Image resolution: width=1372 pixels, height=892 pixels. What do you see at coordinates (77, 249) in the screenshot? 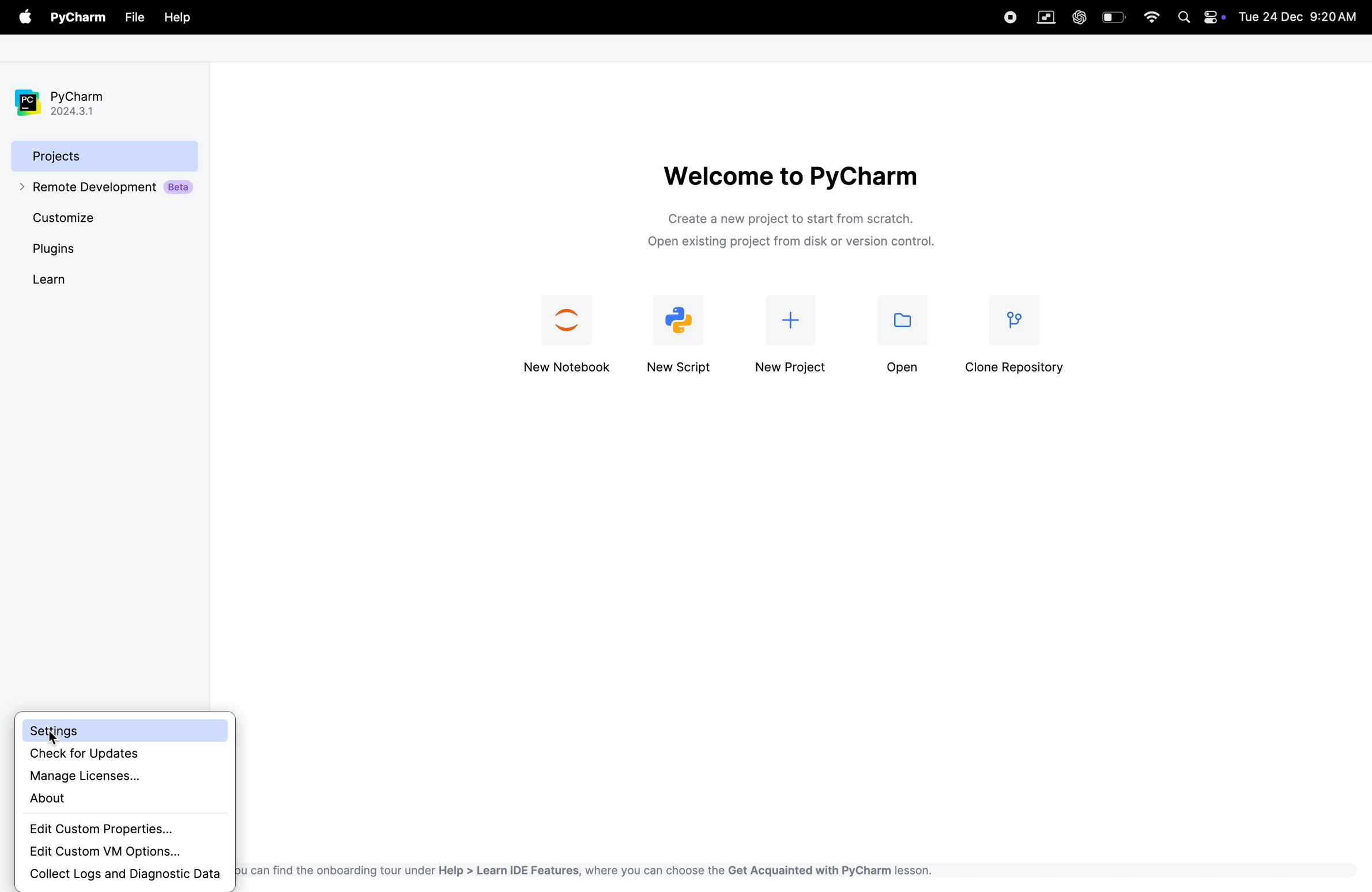
I see `plugins` at bounding box center [77, 249].